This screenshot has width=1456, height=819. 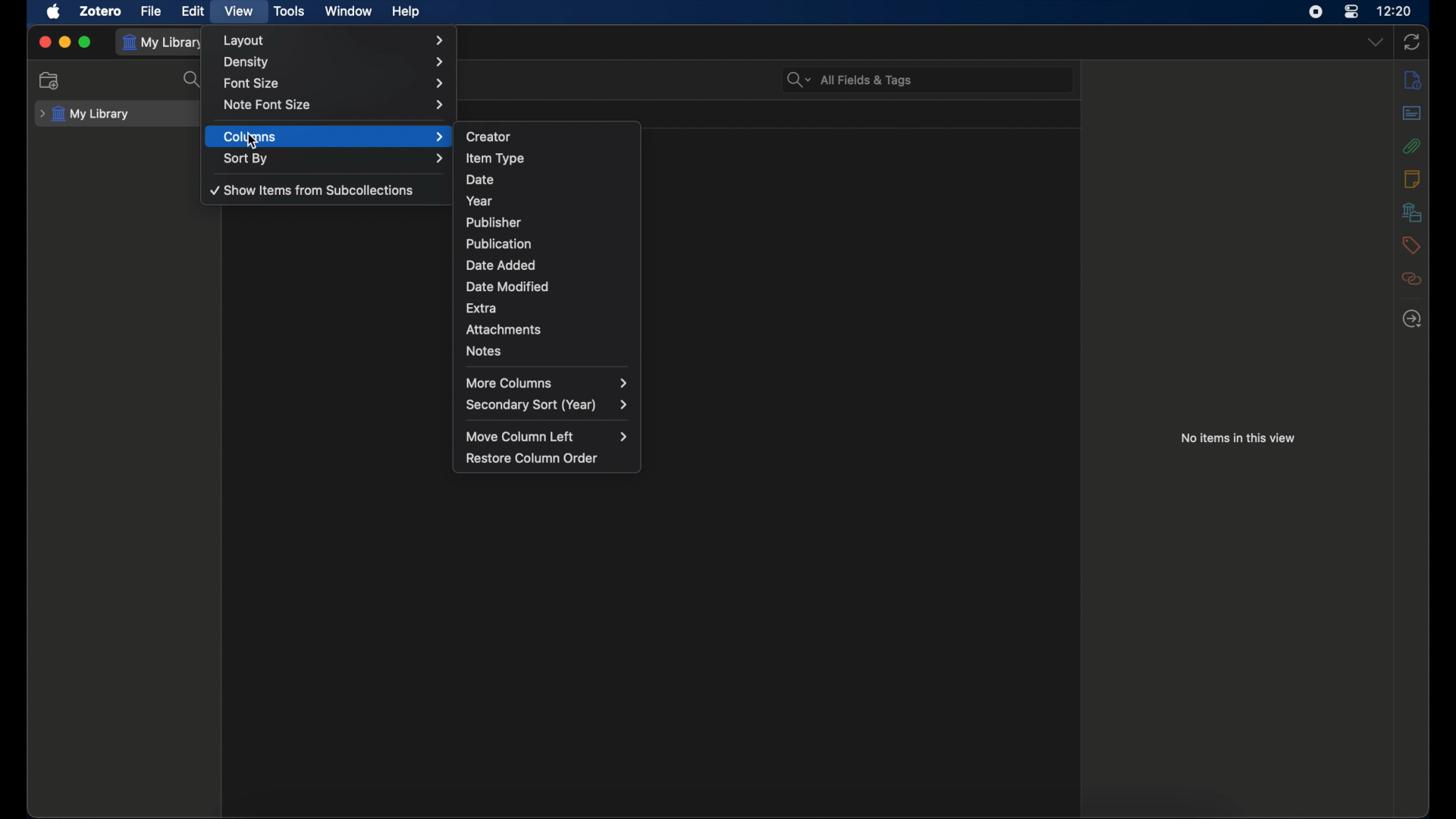 What do you see at coordinates (492, 222) in the screenshot?
I see `publisher` at bounding box center [492, 222].